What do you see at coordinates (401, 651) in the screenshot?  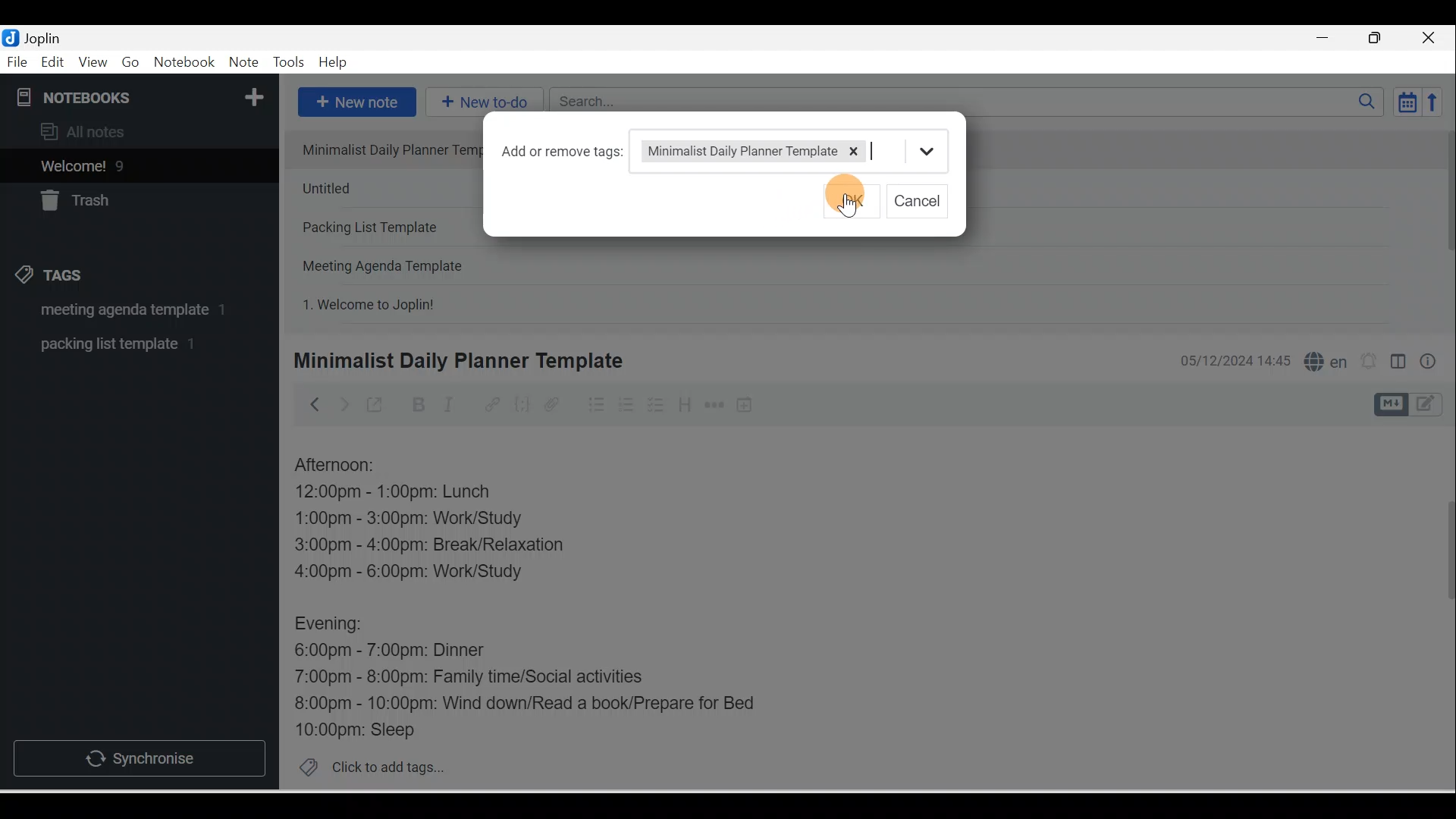 I see `6:00pm - 7:00pm: Dinner` at bounding box center [401, 651].